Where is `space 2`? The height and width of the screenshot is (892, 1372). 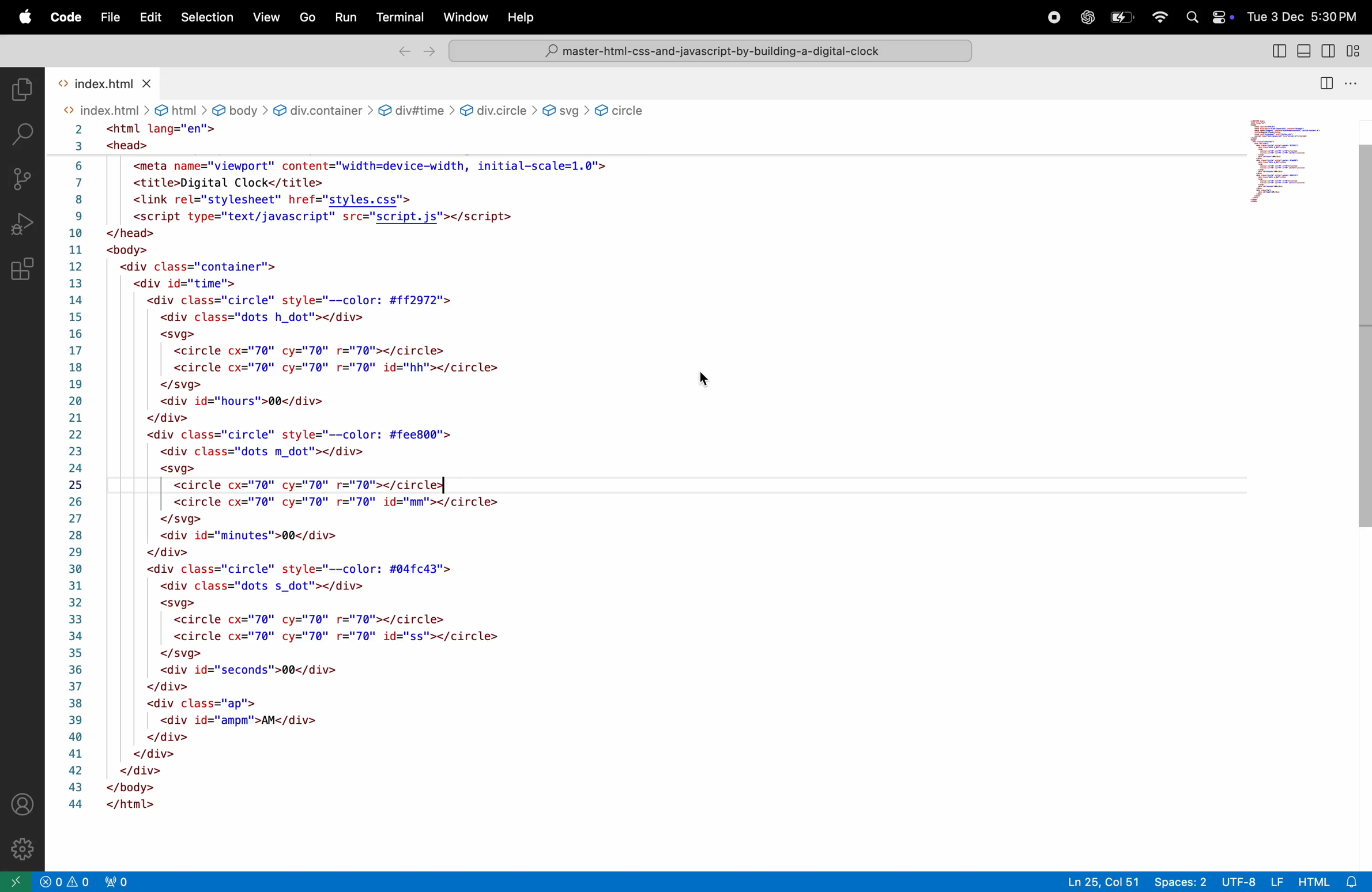
space 2 is located at coordinates (1181, 880).